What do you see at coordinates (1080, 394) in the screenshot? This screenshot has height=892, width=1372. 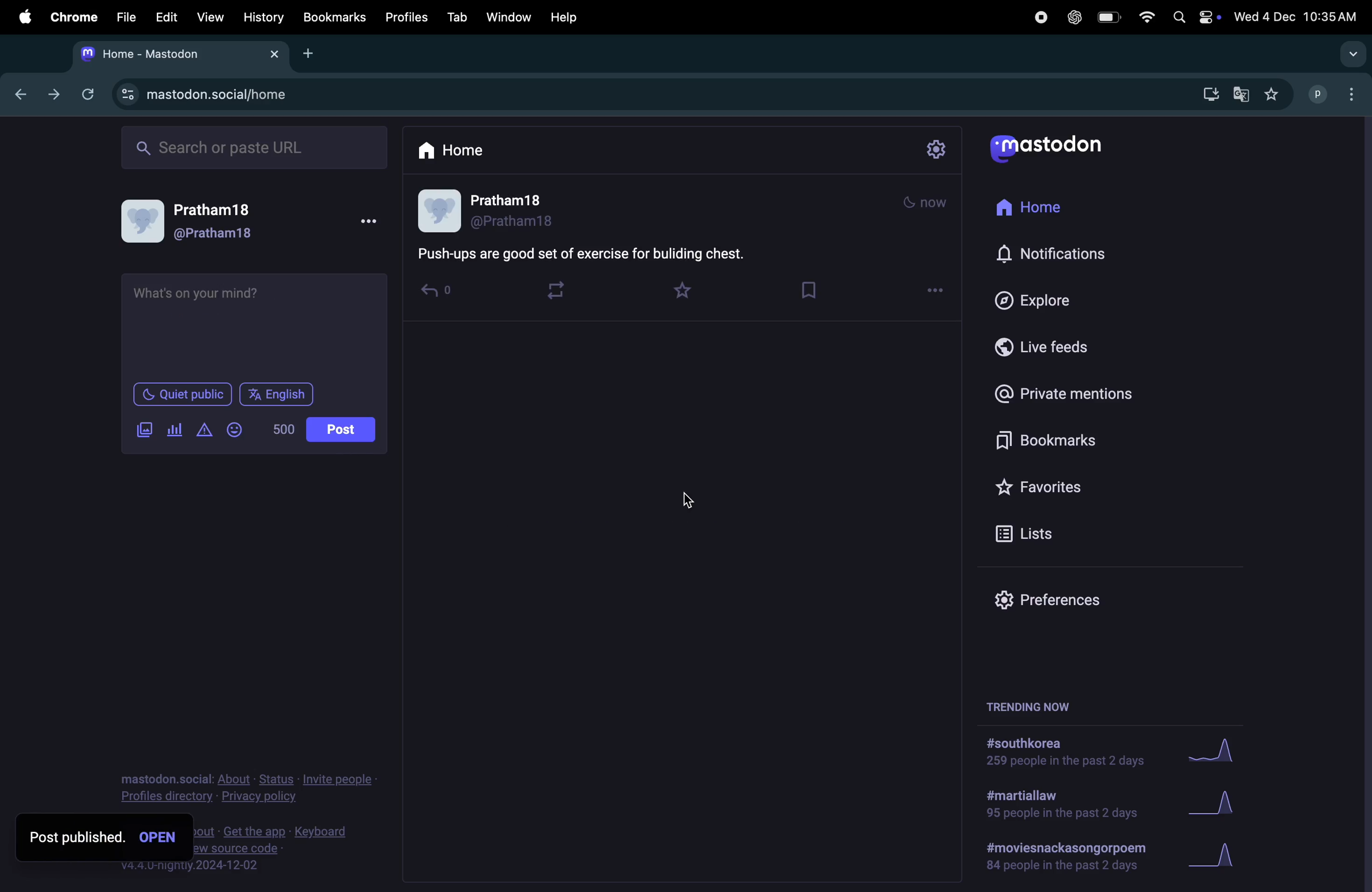 I see `Private mentions` at bounding box center [1080, 394].